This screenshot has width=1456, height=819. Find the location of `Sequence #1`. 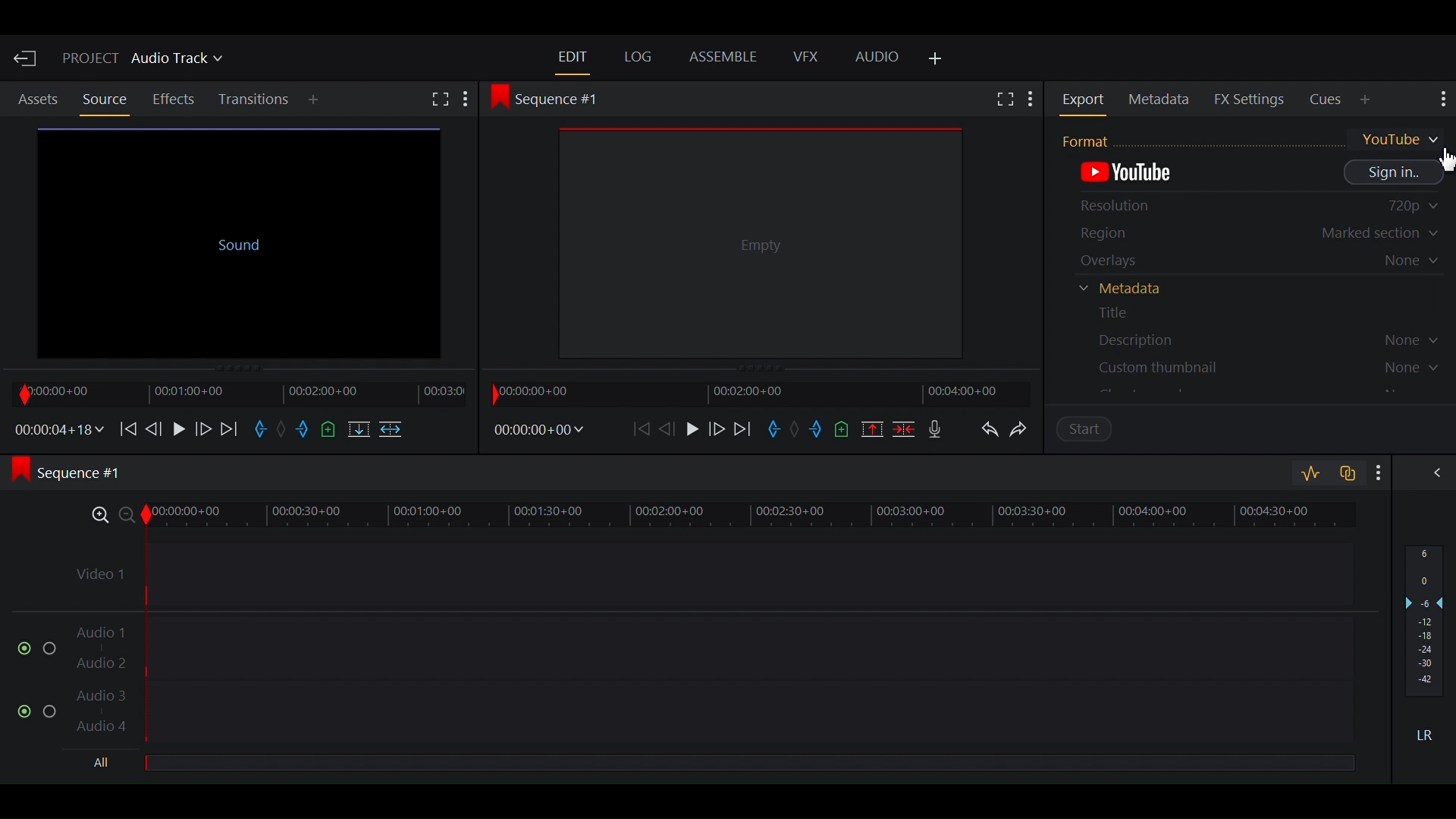

Sequence #1 is located at coordinates (77, 474).